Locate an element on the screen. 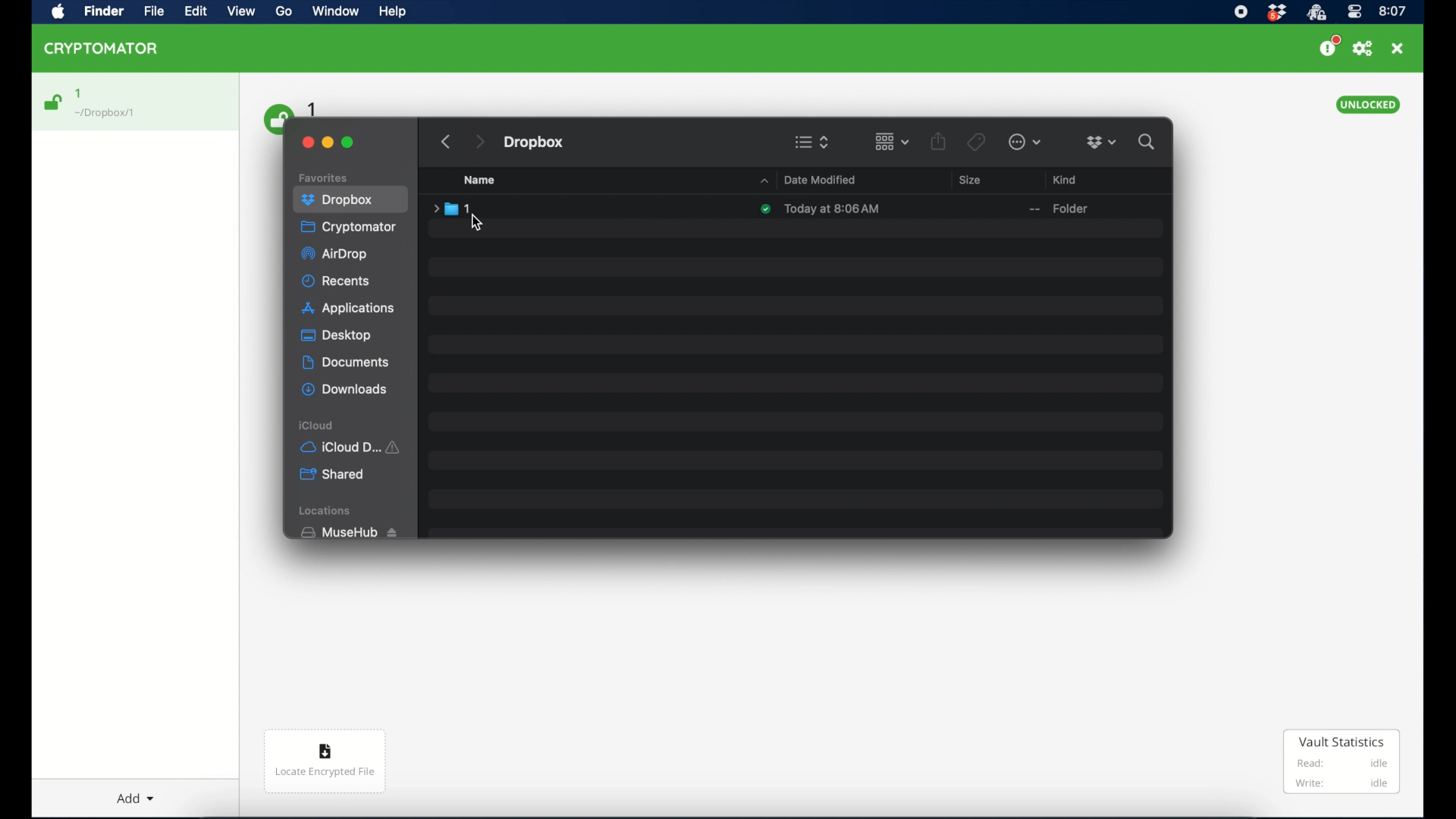 Image resolution: width=1456 pixels, height=819 pixels. viewing options is located at coordinates (812, 142).